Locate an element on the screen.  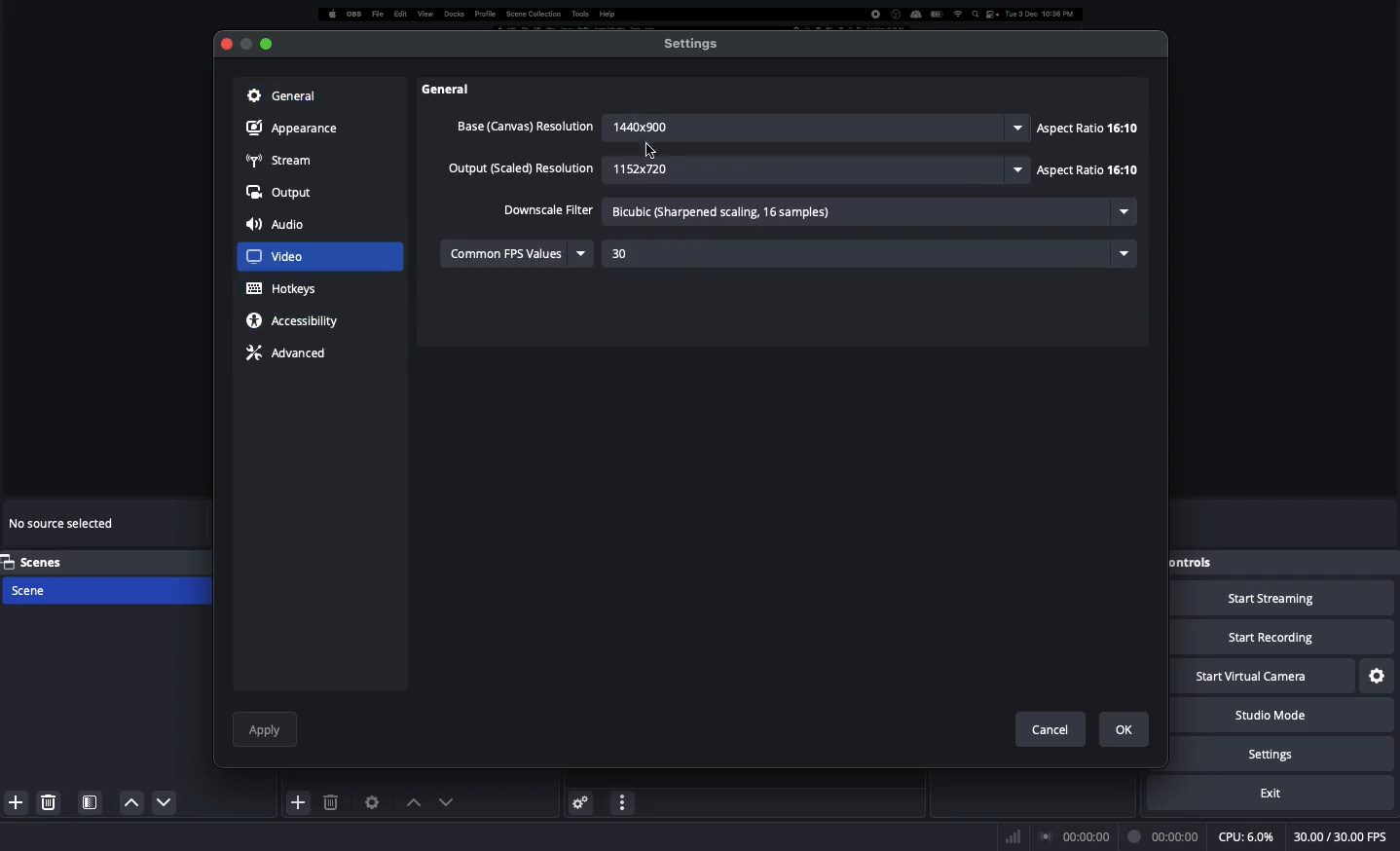
Advance is located at coordinates (289, 351).